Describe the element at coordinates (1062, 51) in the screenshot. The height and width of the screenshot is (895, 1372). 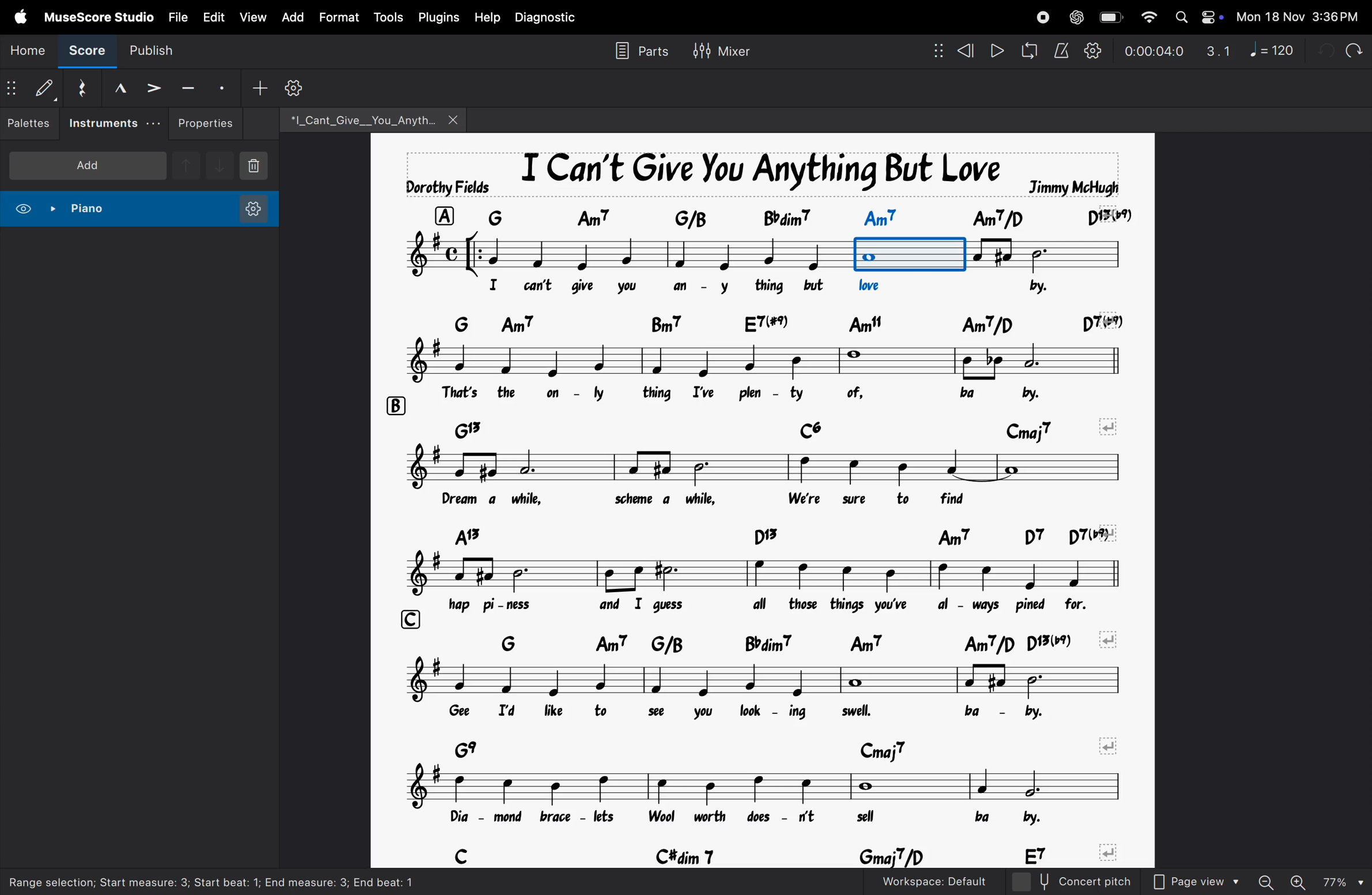
I see `metronome` at that location.